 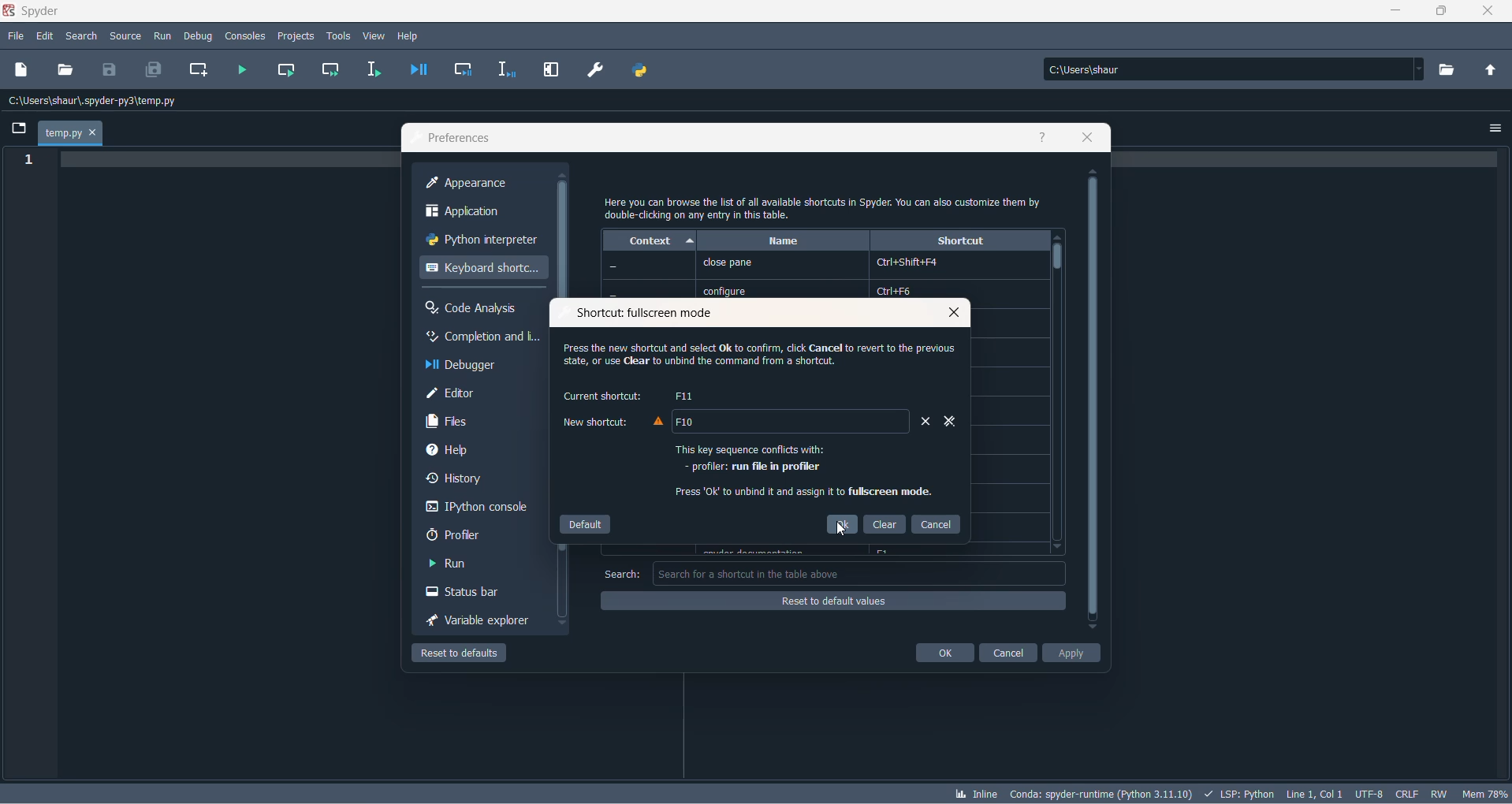 I want to click on python interpreter, so click(x=481, y=242).